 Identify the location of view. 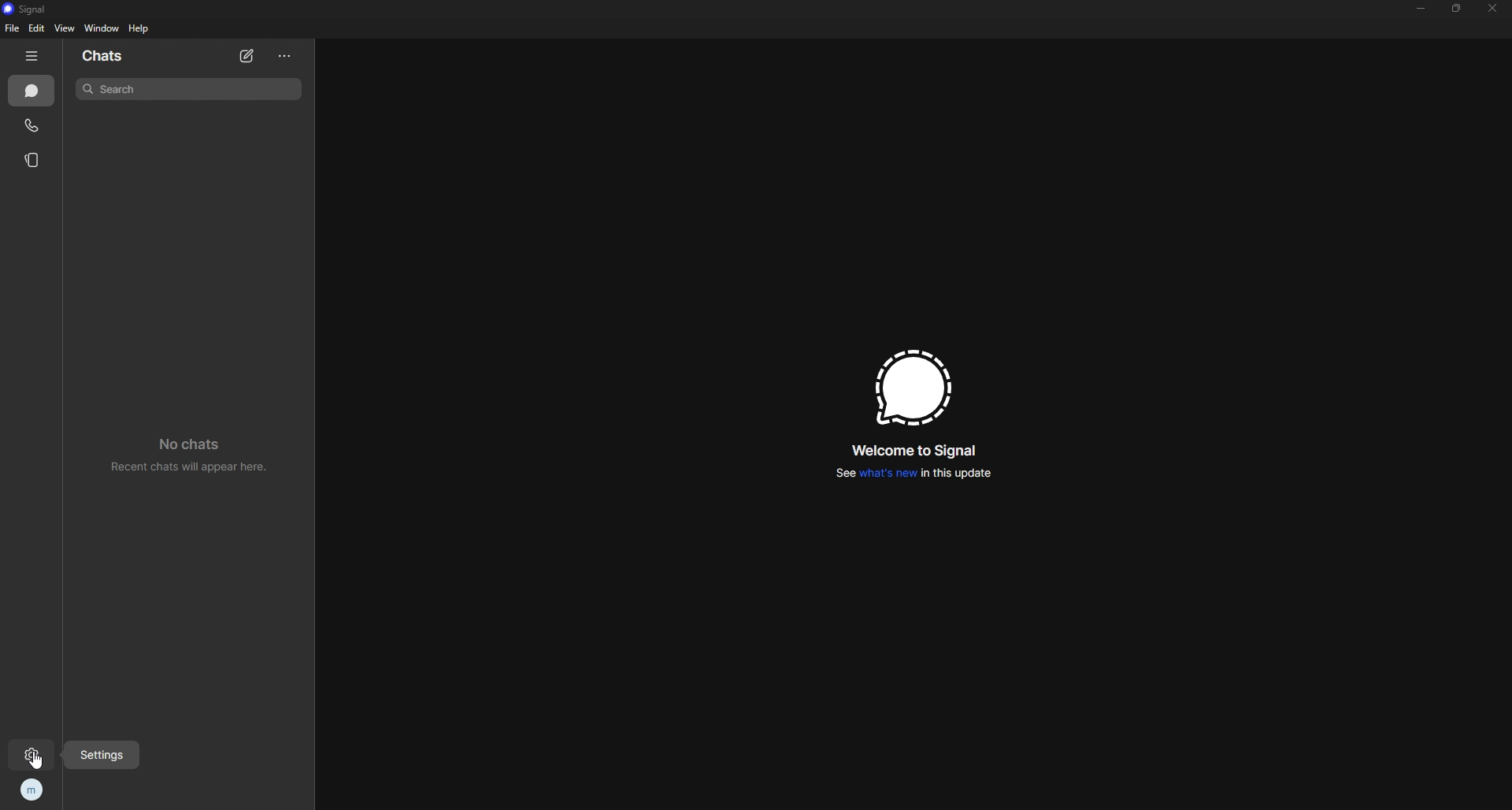
(65, 28).